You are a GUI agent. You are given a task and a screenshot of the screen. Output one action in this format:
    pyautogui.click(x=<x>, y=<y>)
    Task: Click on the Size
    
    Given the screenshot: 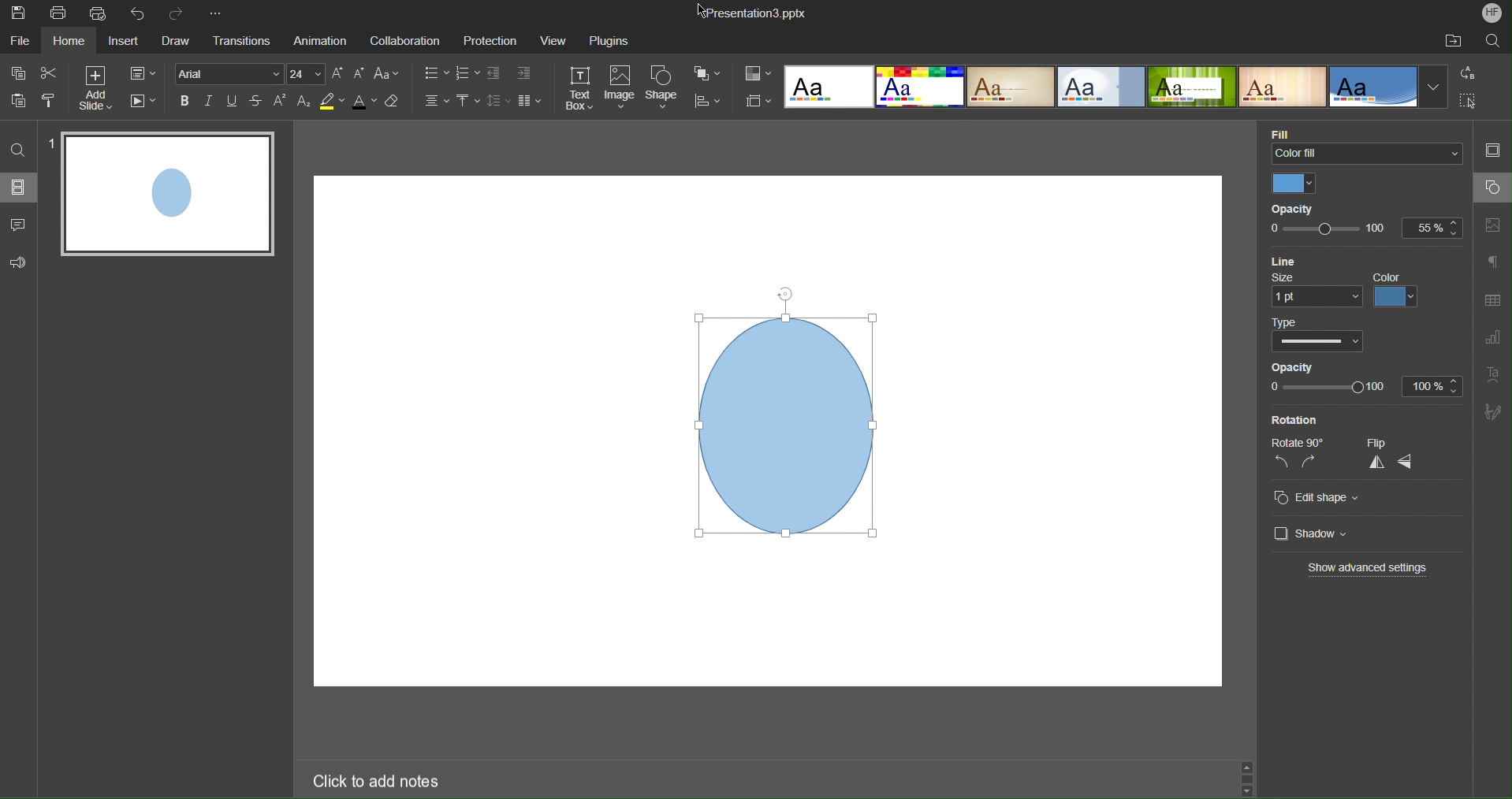 What is the action you would take?
    pyautogui.click(x=1312, y=292)
    